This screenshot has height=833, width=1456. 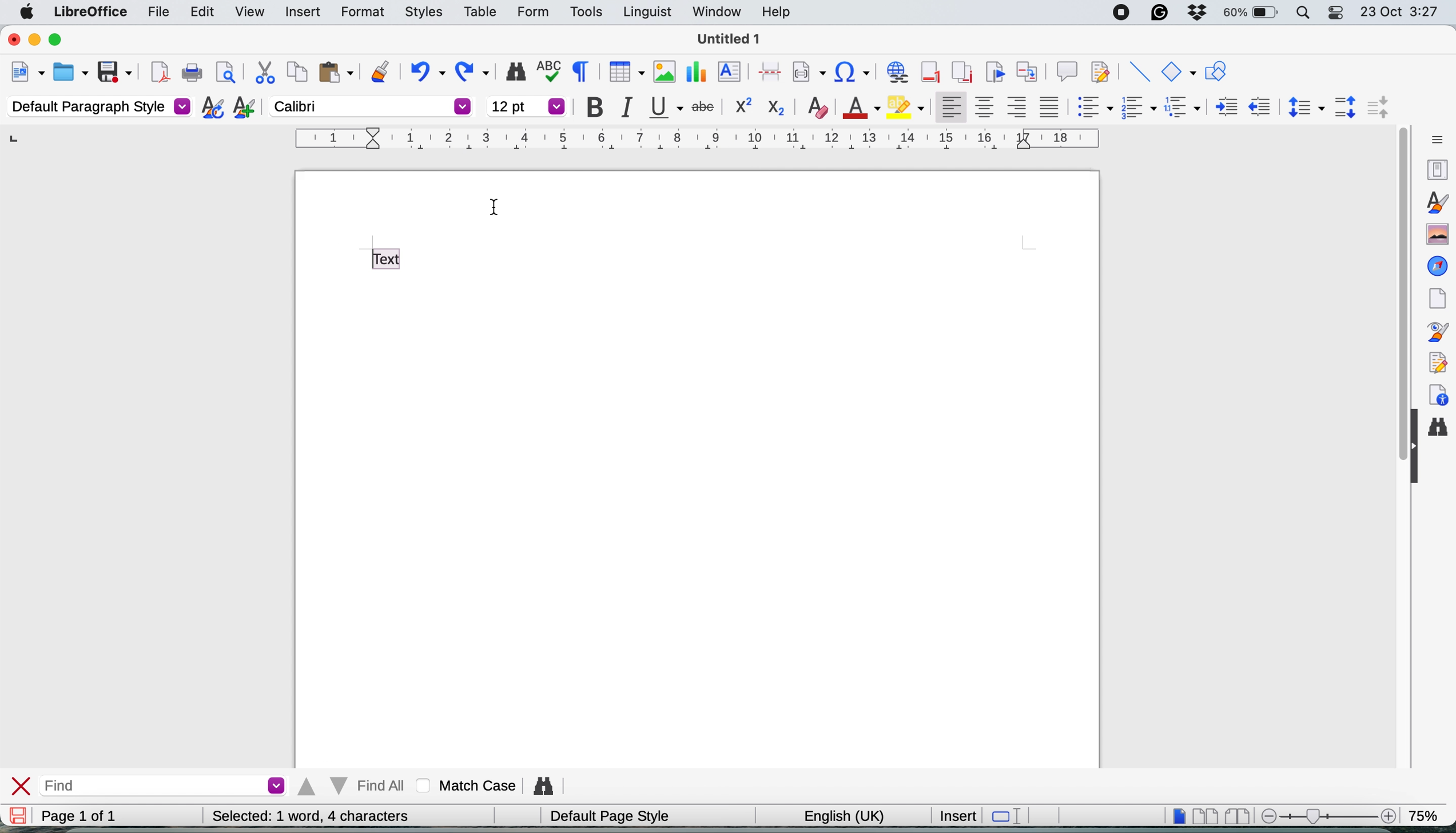 What do you see at coordinates (1139, 72) in the screenshot?
I see `insert line` at bounding box center [1139, 72].